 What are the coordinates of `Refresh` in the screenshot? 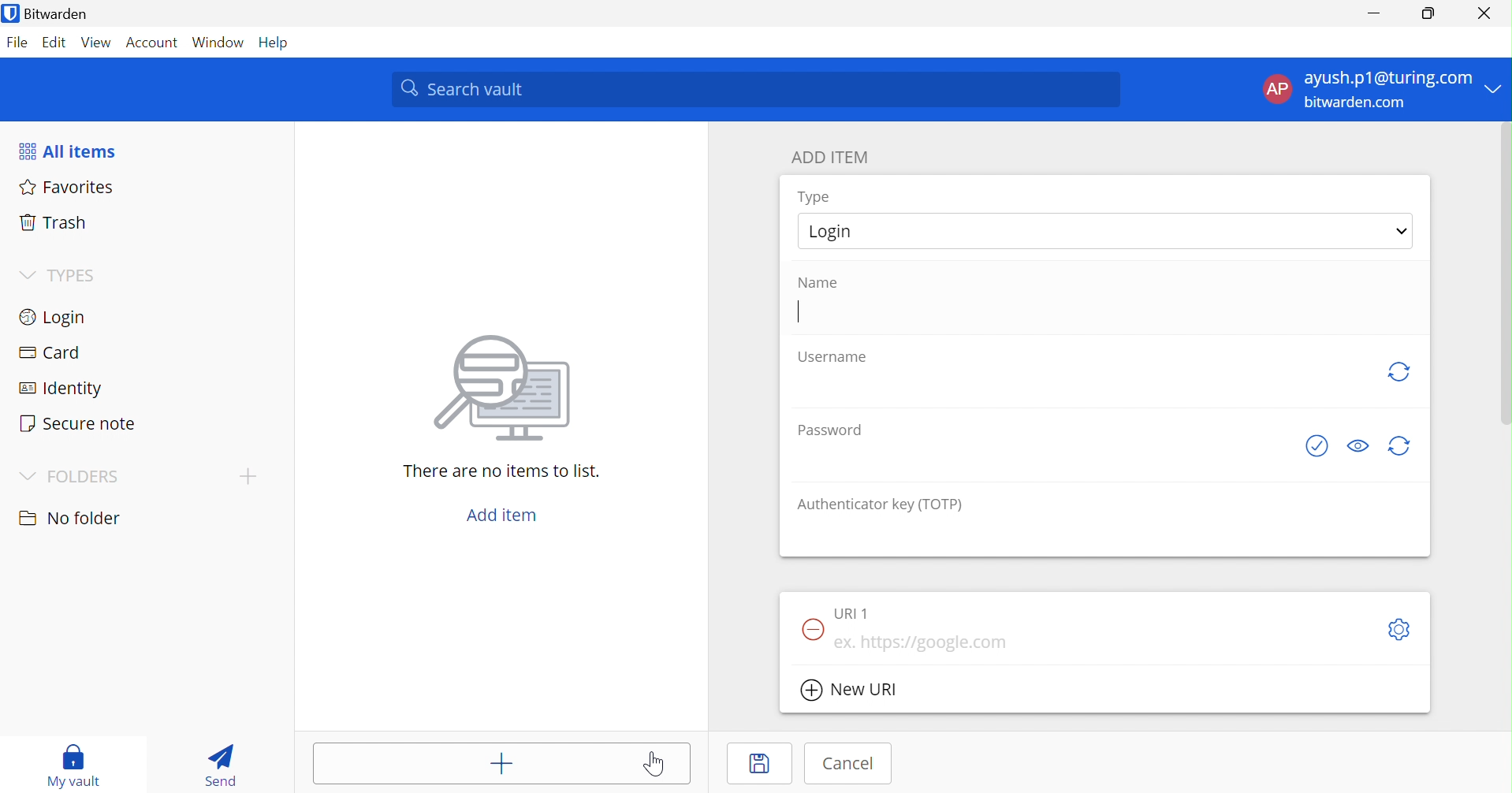 It's located at (1402, 374).